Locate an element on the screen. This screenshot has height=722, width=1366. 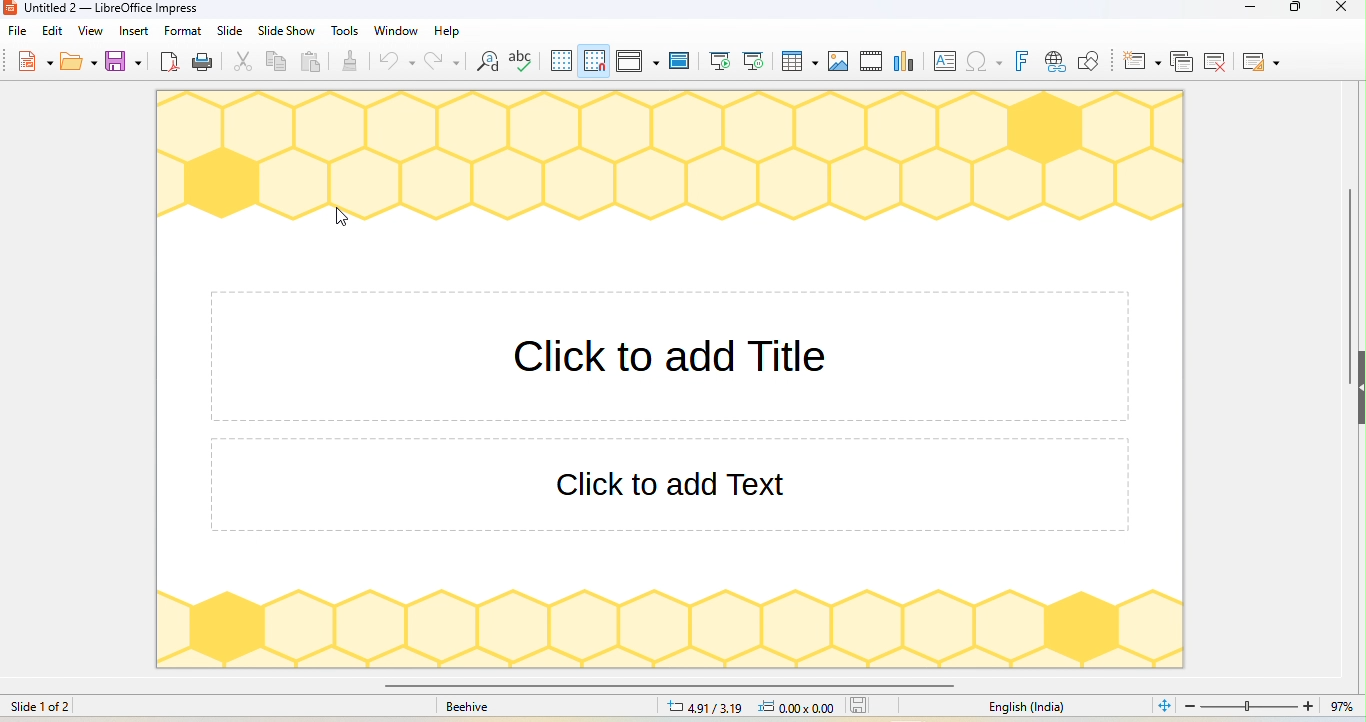
insert is located at coordinates (133, 30).